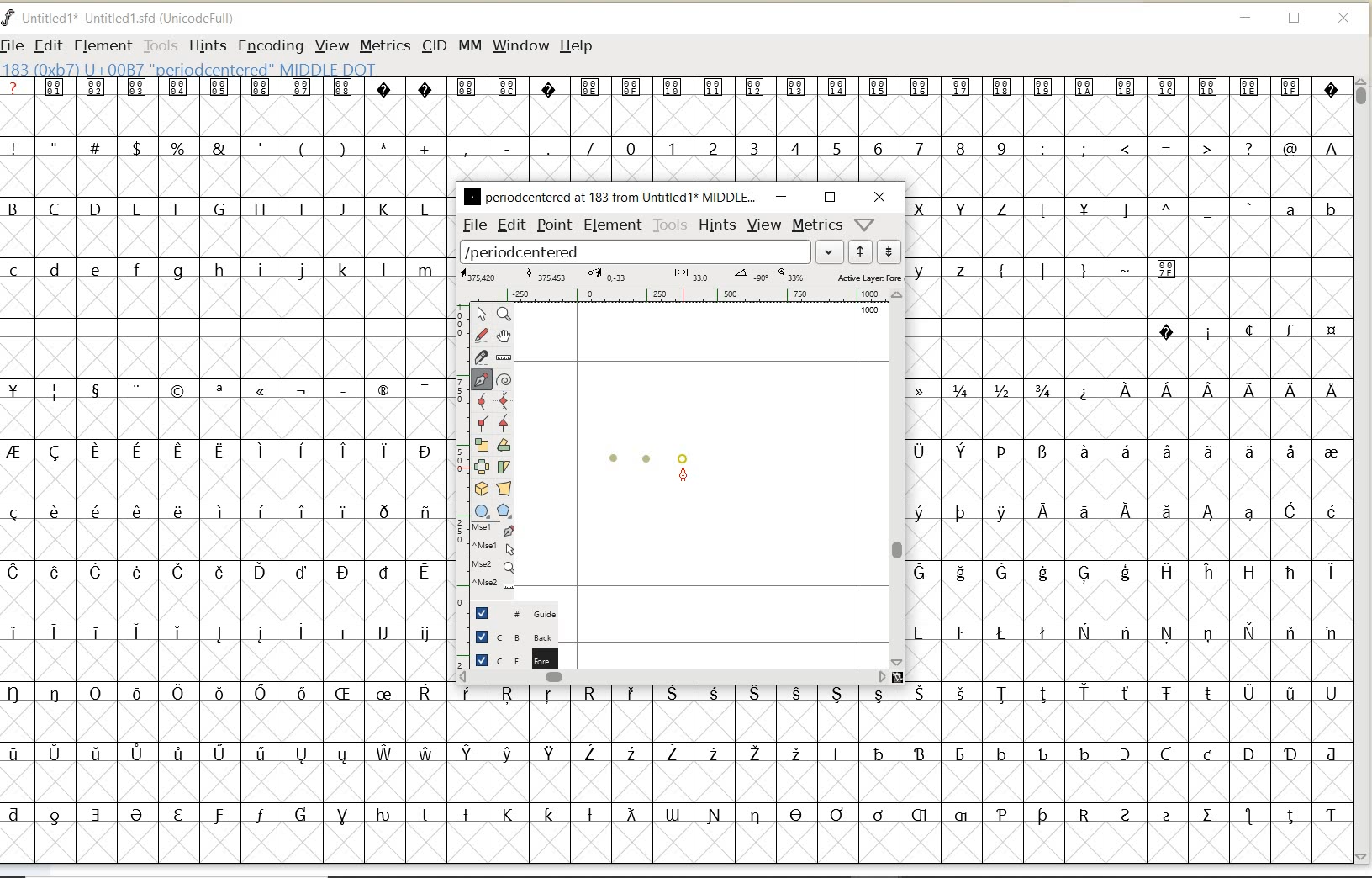 This screenshot has height=878, width=1372. What do you see at coordinates (679, 277) in the screenshot?
I see `active layer` at bounding box center [679, 277].